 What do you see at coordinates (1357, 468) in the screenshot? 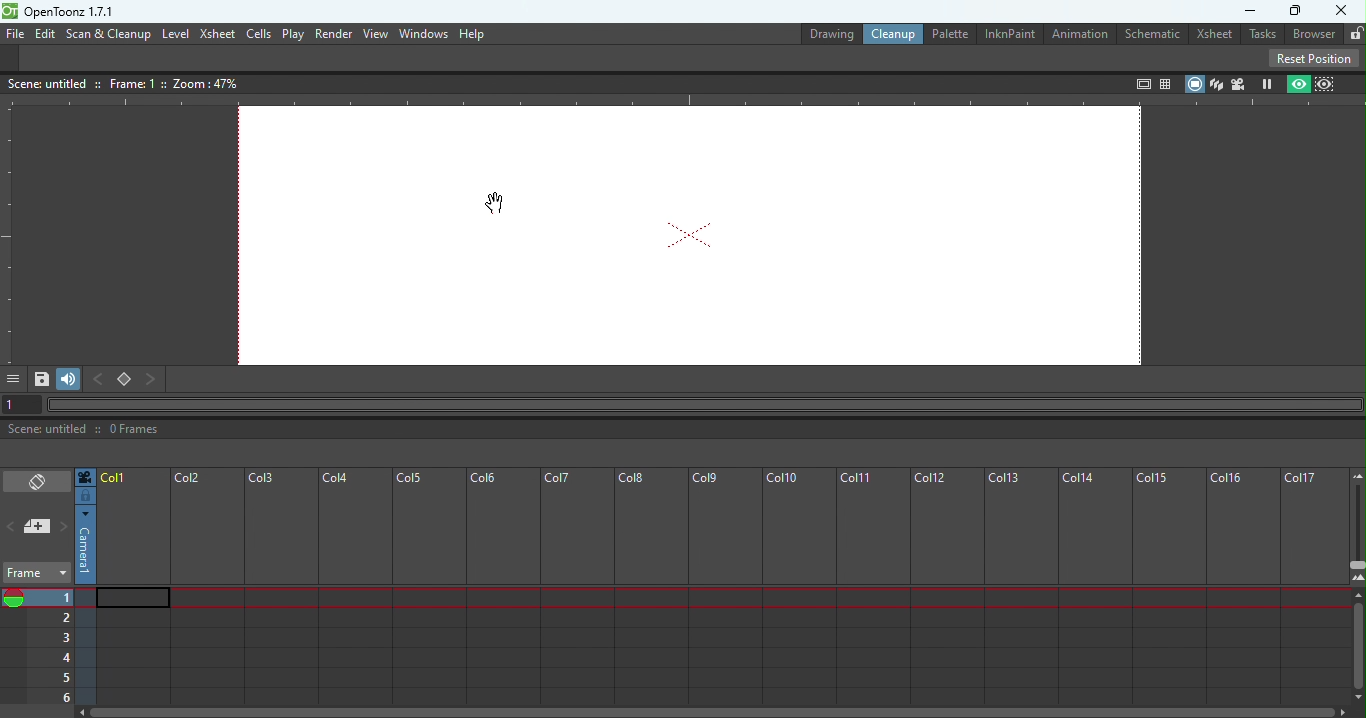
I see `Zoom out` at bounding box center [1357, 468].